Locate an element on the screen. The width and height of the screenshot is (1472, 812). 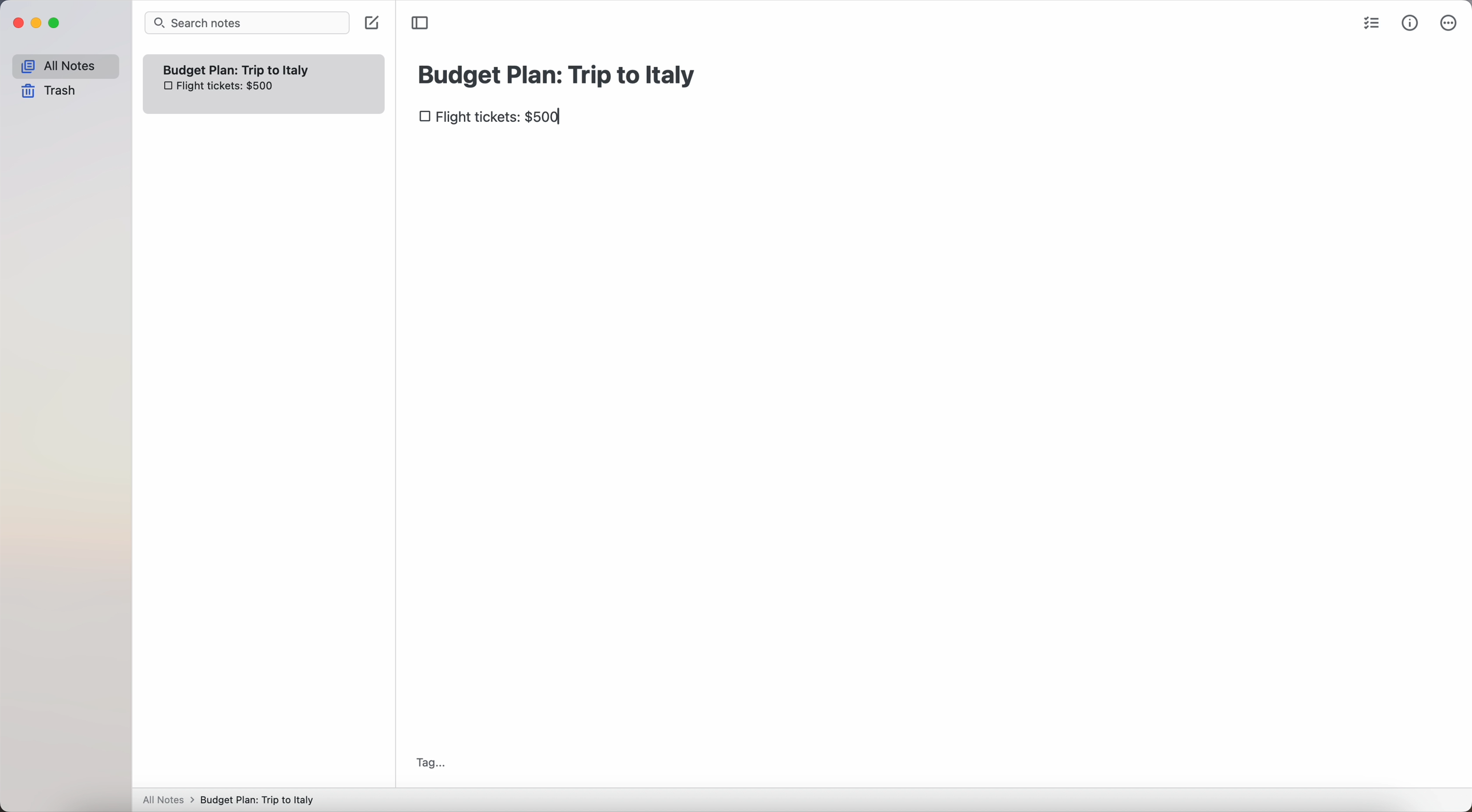
create note is located at coordinates (371, 24).